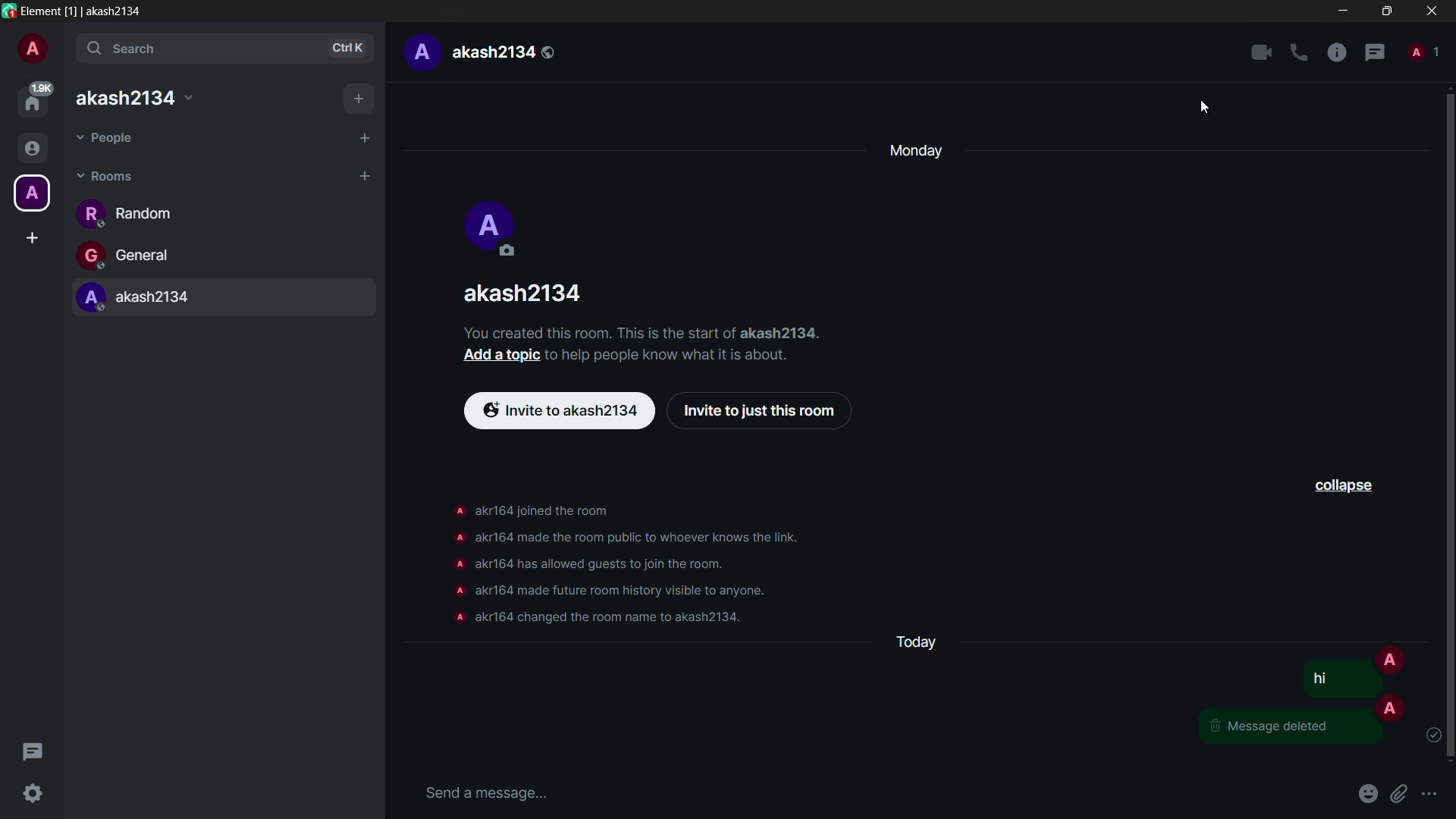  I want to click on profile, so click(457, 591).